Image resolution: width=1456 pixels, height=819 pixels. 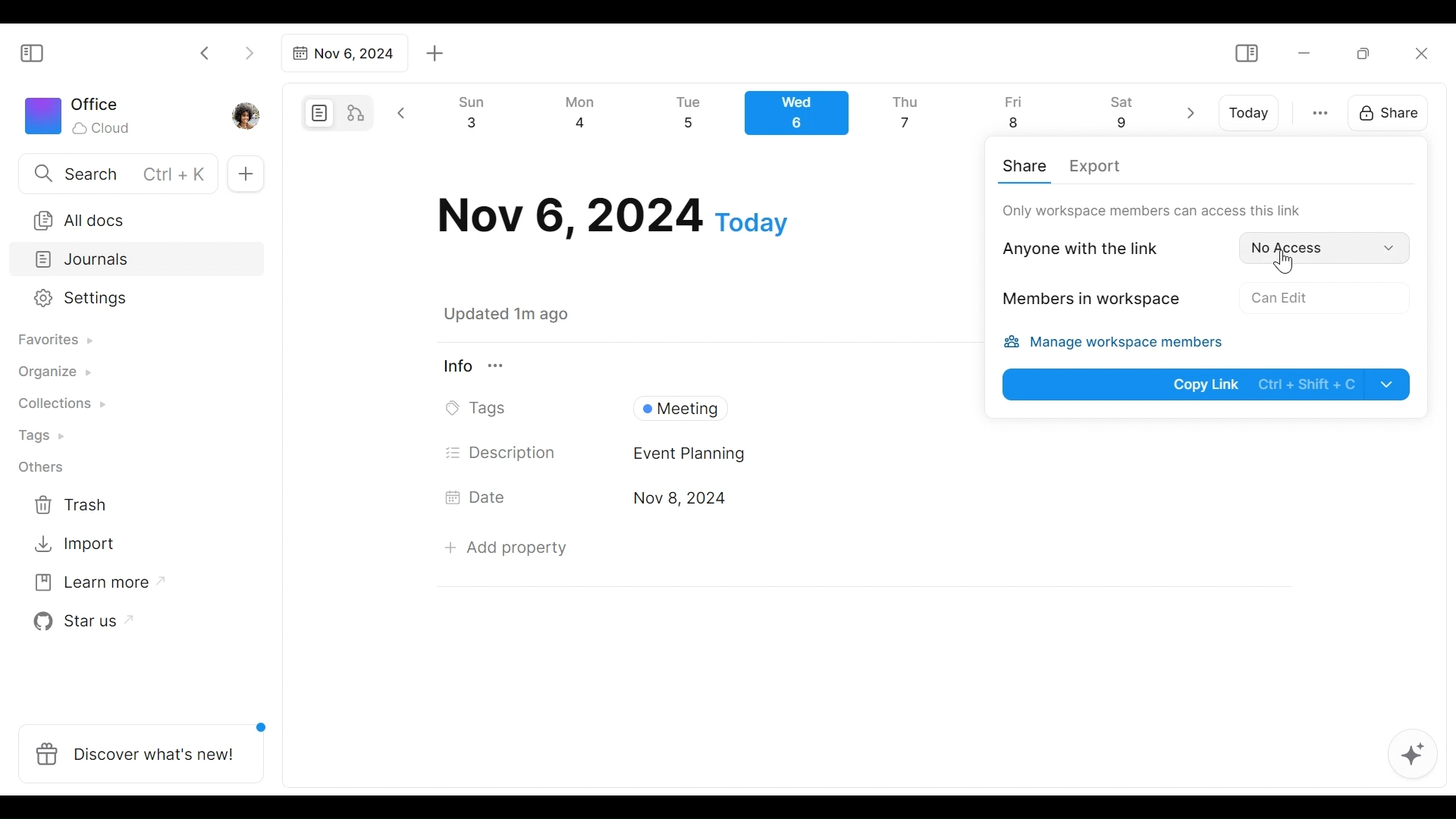 I want to click on Tab, so click(x=342, y=53).